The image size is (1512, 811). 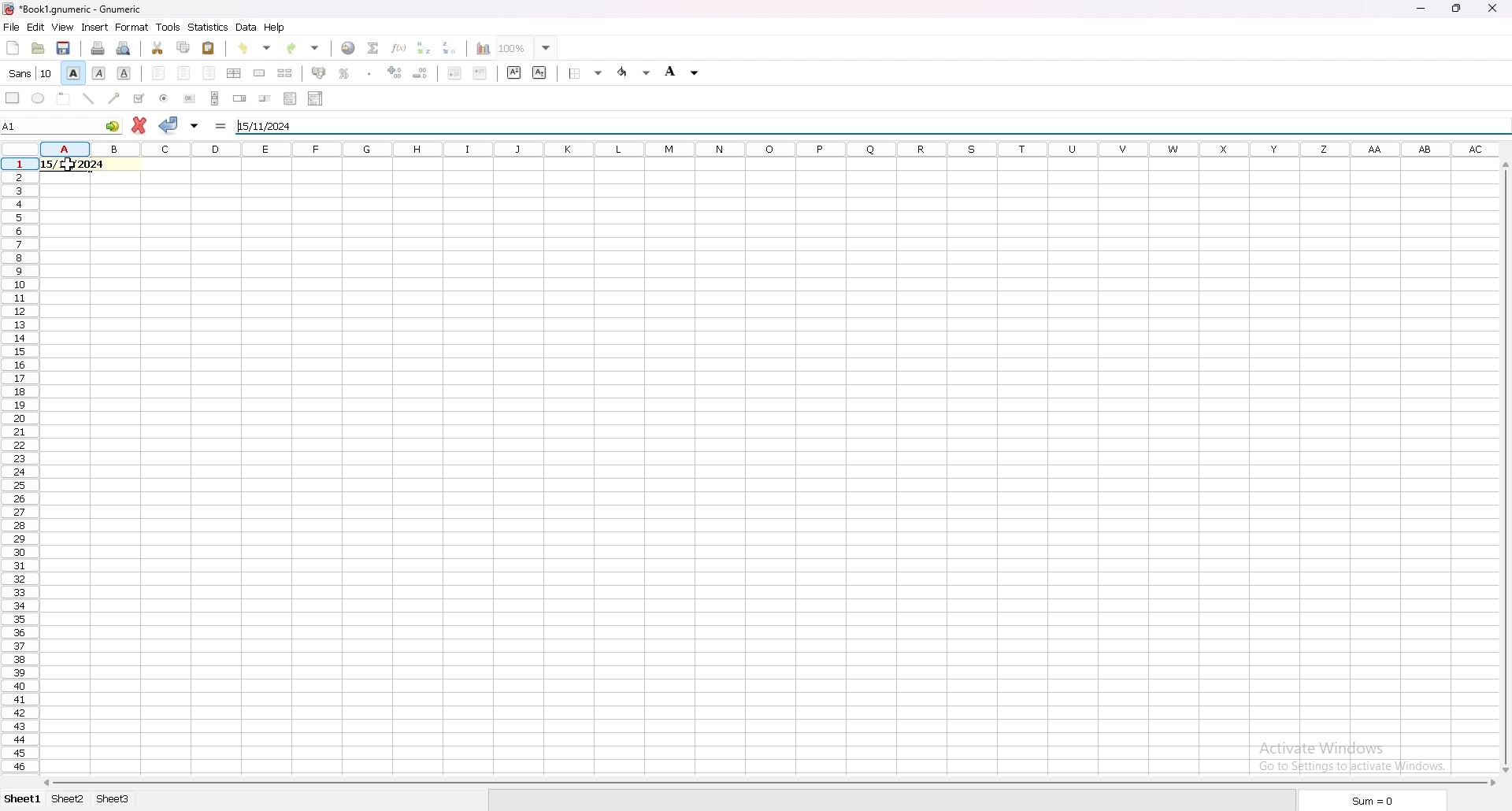 What do you see at coordinates (1423, 10) in the screenshot?
I see `minimize` at bounding box center [1423, 10].